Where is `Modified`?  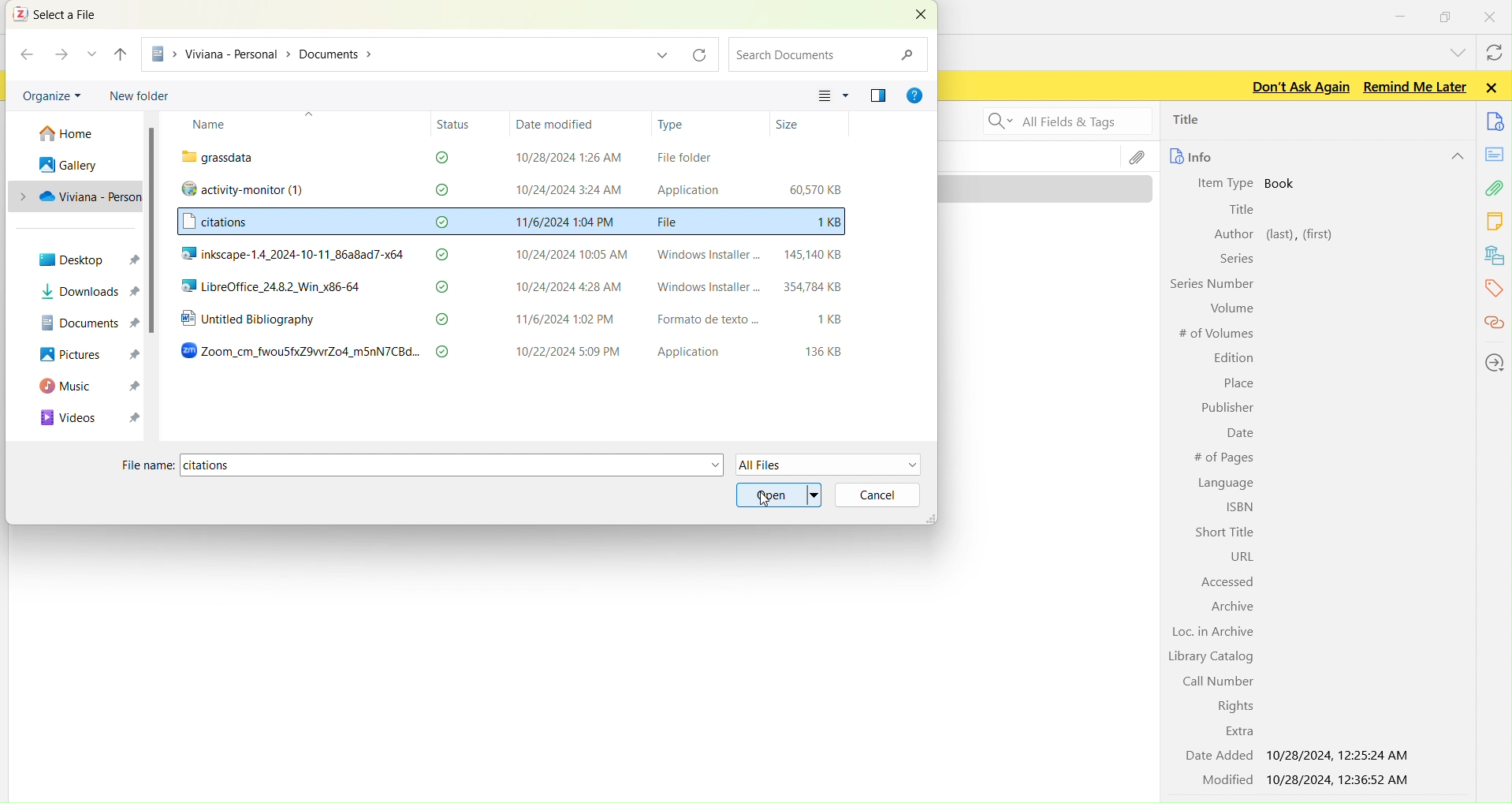 Modified is located at coordinates (1214, 779).